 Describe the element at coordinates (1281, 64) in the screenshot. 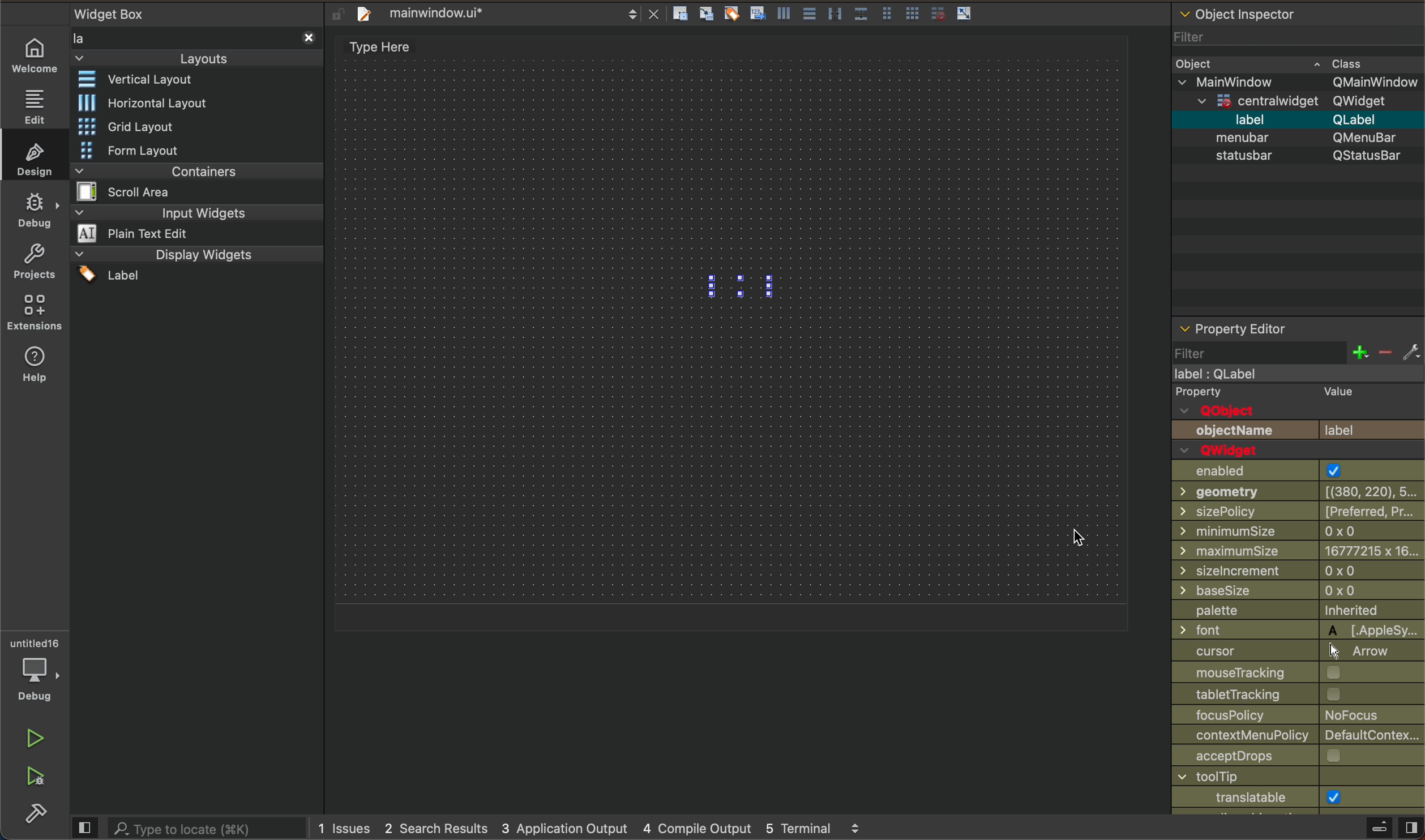

I see `object` at that location.